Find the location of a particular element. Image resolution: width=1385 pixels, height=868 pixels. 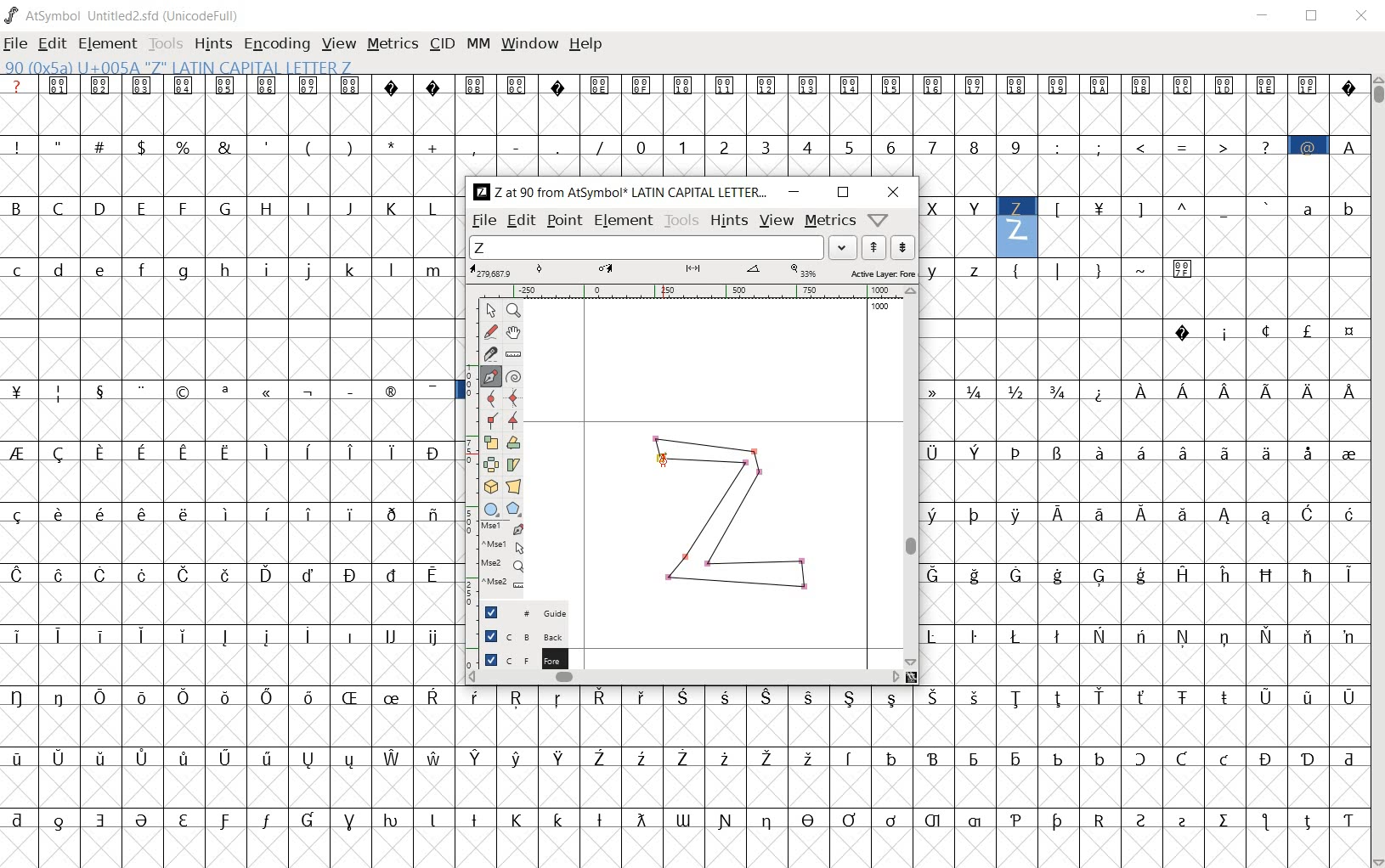

point is located at coordinates (564, 222).